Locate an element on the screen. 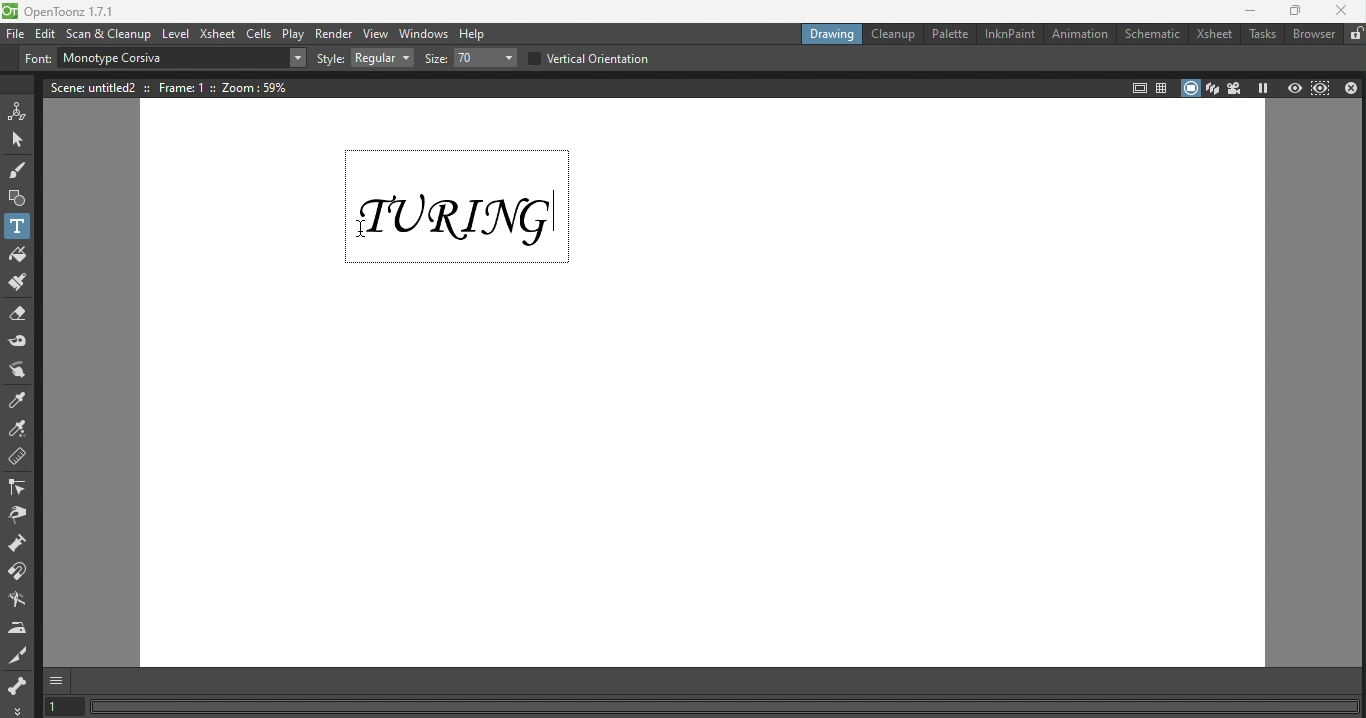 The width and height of the screenshot is (1366, 718). Freeze is located at coordinates (1261, 87).